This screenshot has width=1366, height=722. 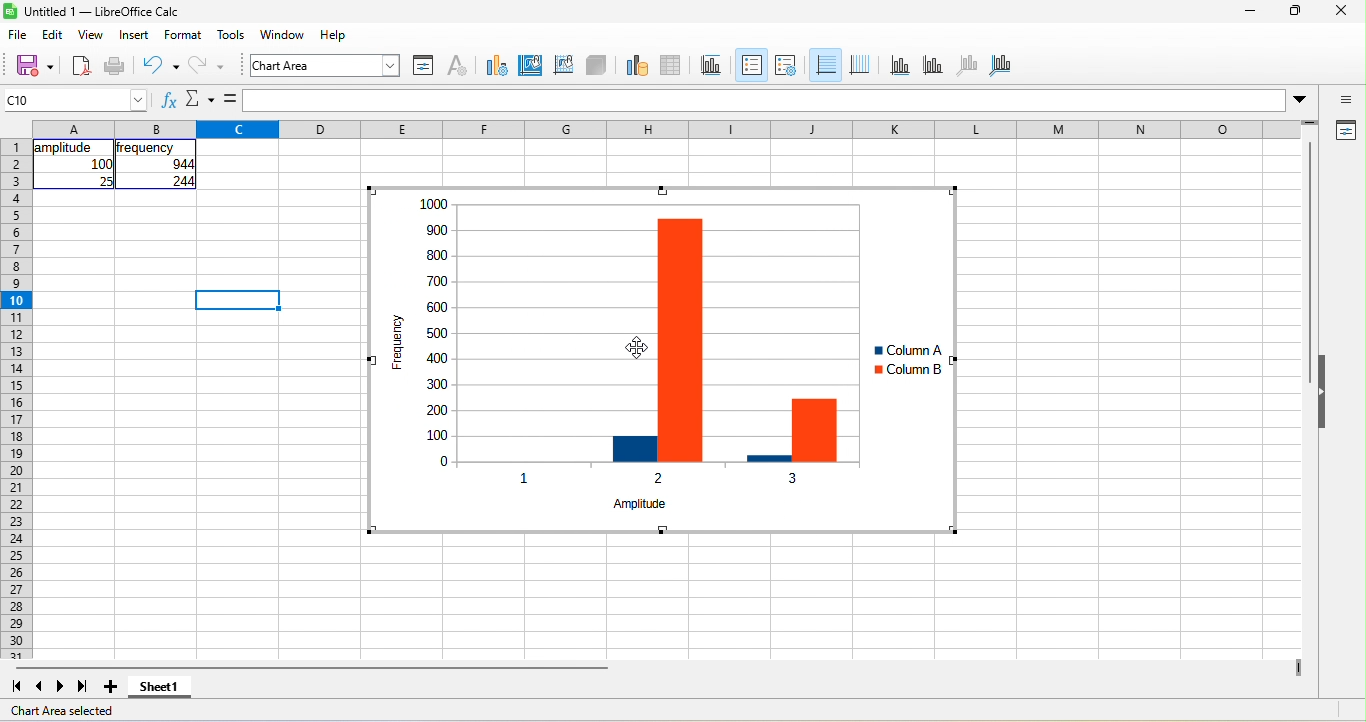 I want to click on Software logo, so click(x=10, y=11).